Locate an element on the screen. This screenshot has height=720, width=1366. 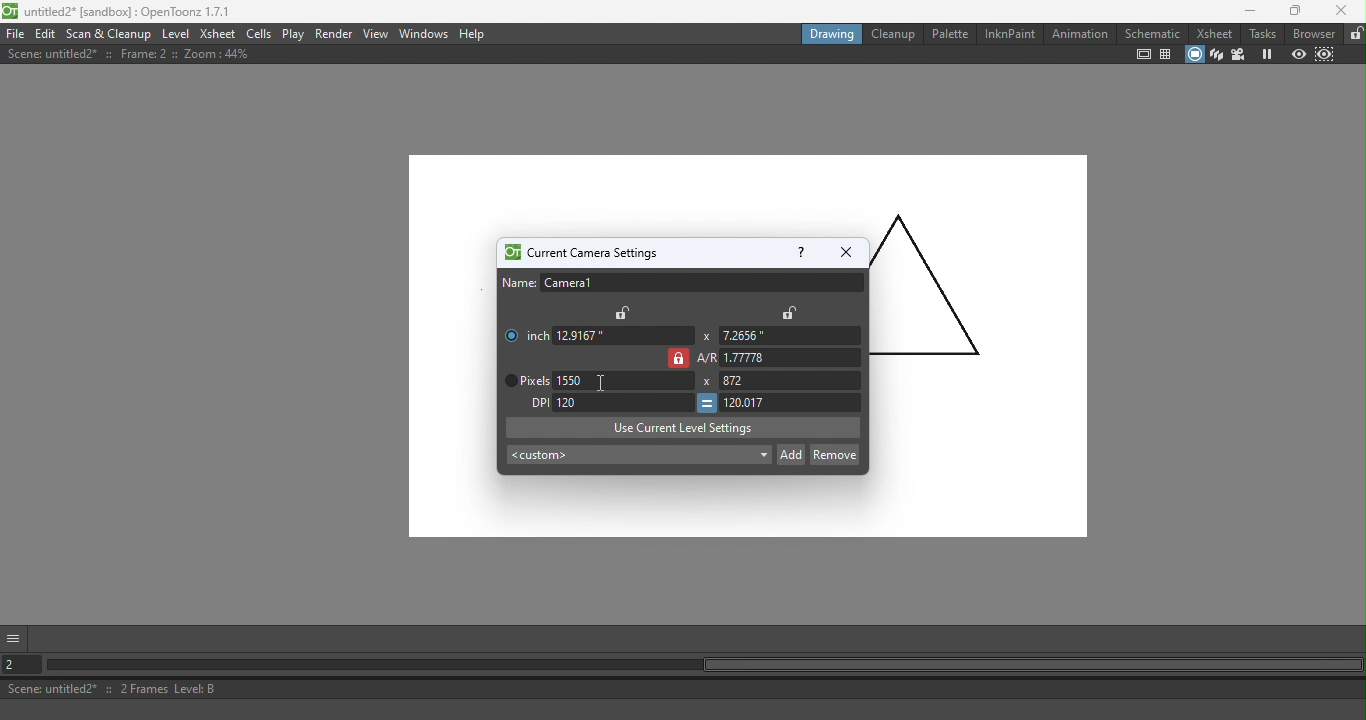
insertion cursor is located at coordinates (600, 383).